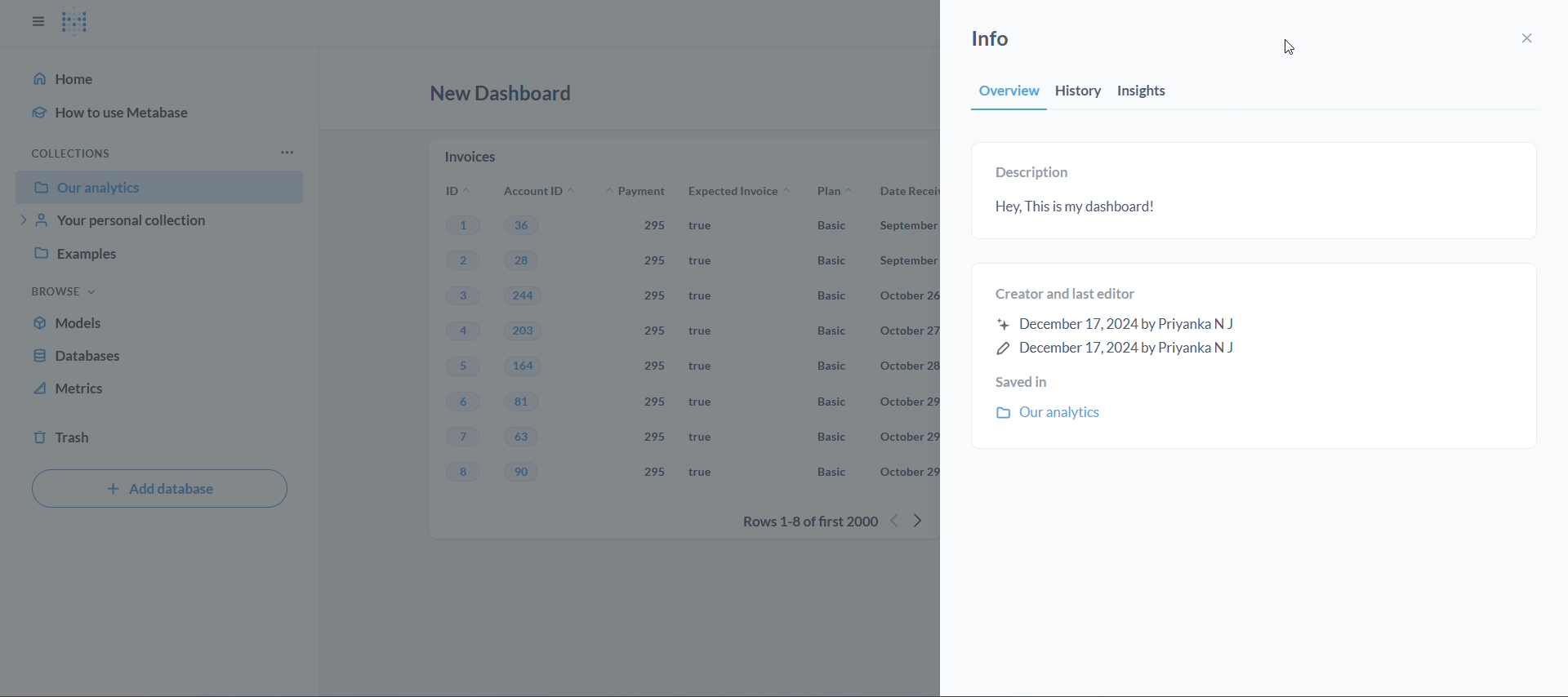  What do you see at coordinates (651, 227) in the screenshot?
I see `295` at bounding box center [651, 227].